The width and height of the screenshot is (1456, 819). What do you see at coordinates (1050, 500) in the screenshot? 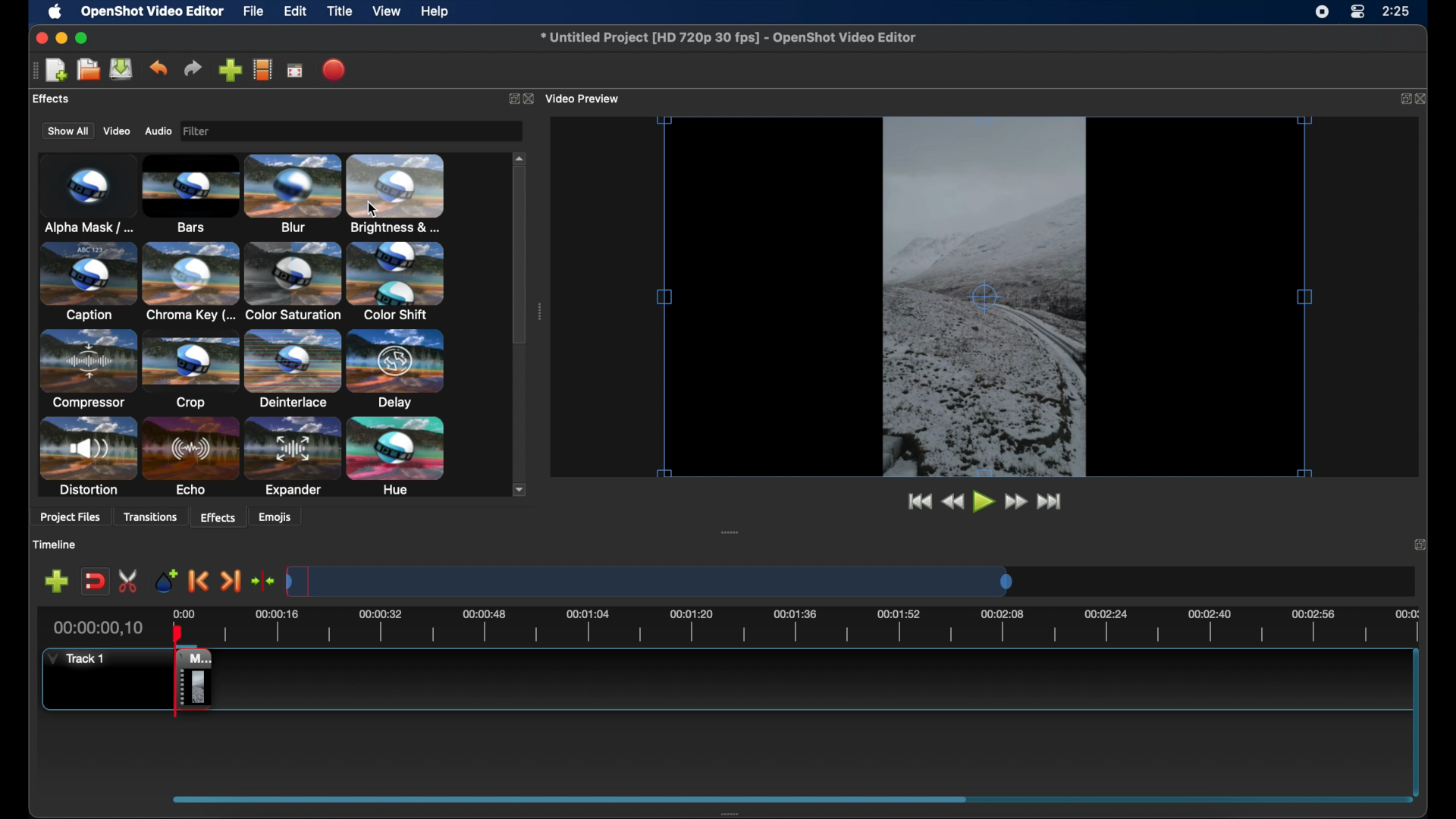
I see `jump to end` at bounding box center [1050, 500].